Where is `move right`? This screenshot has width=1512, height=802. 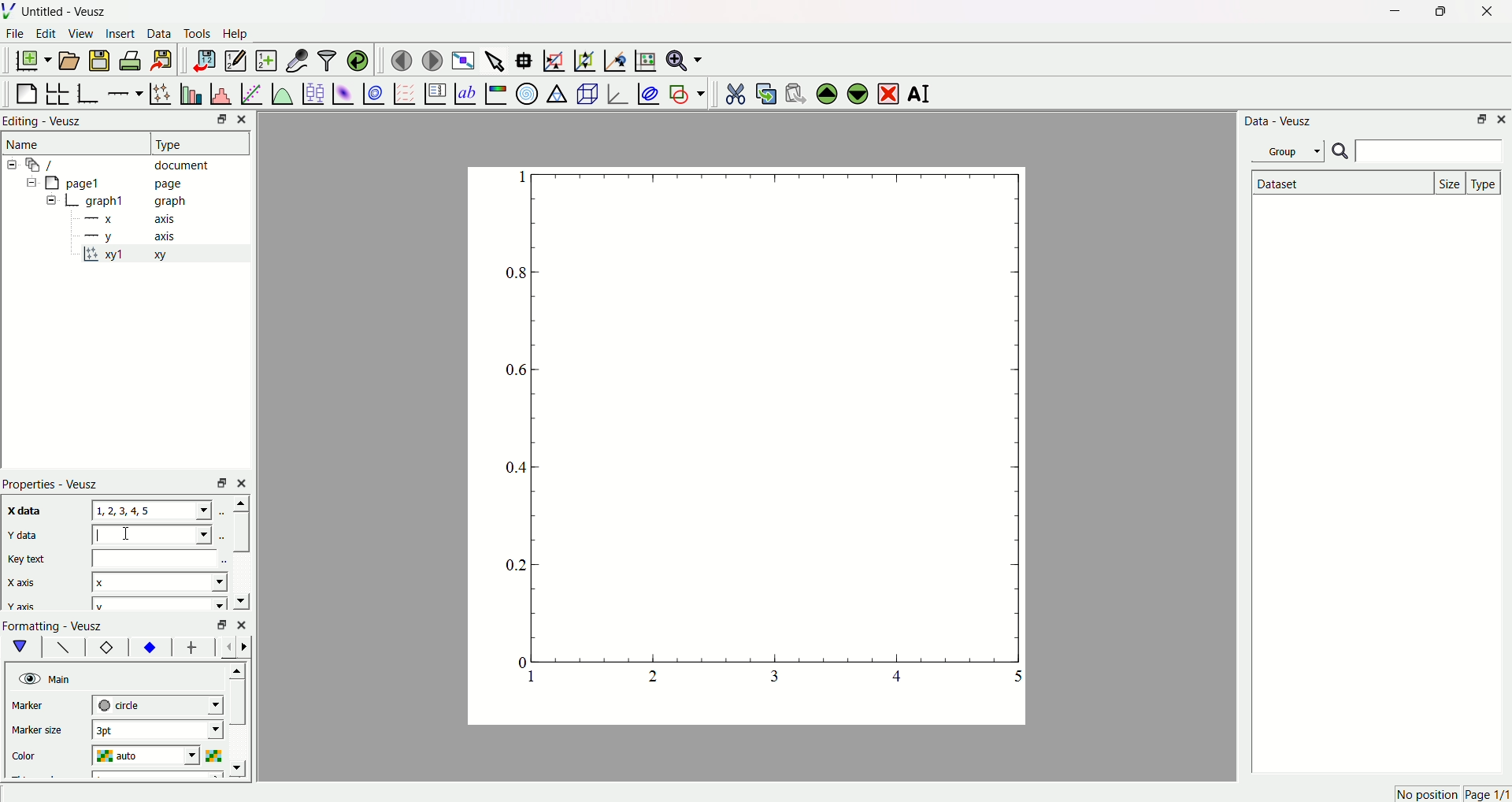 move right is located at coordinates (248, 646).